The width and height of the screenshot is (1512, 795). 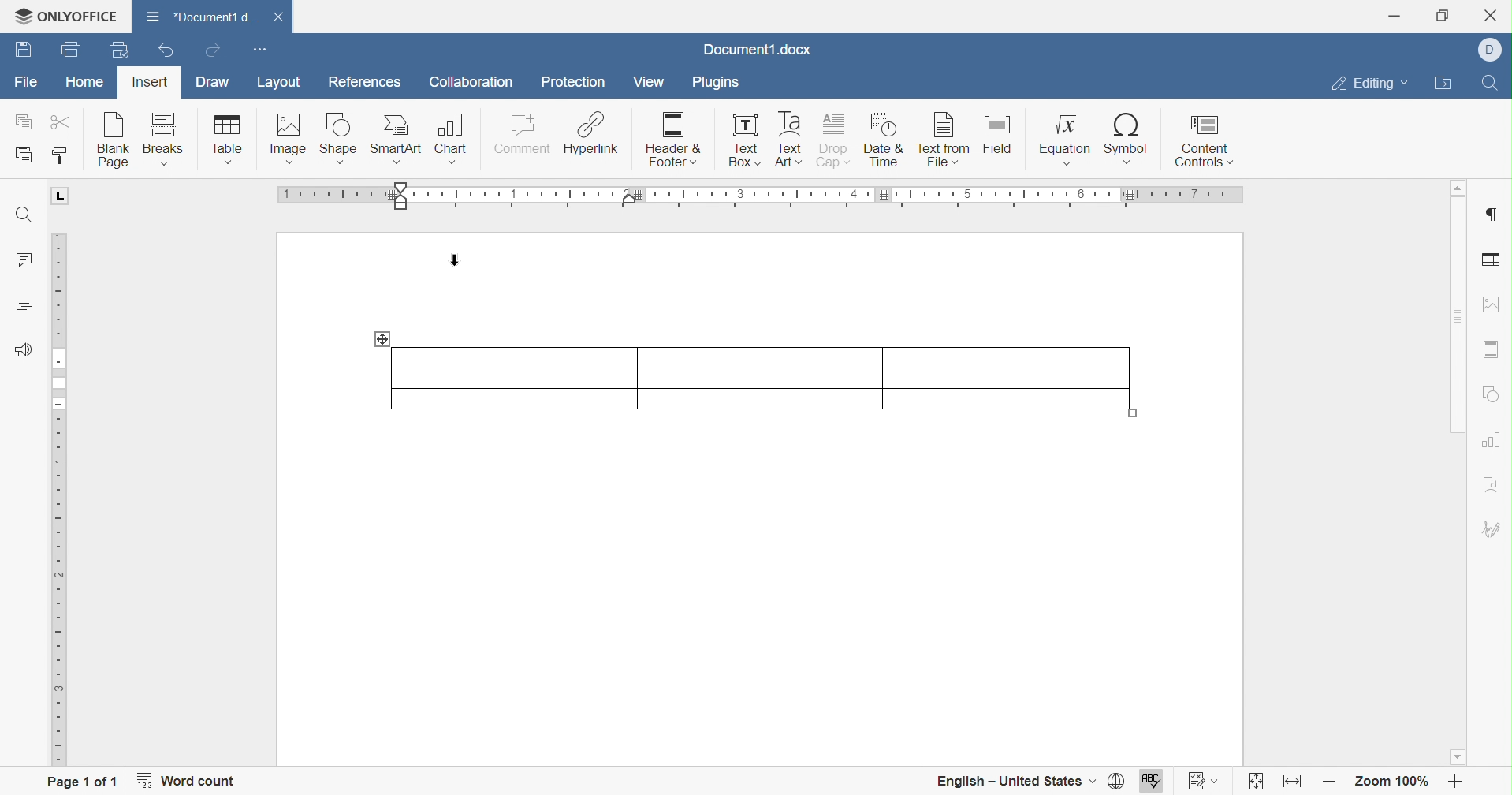 I want to click on Home, so click(x=84, y=80).